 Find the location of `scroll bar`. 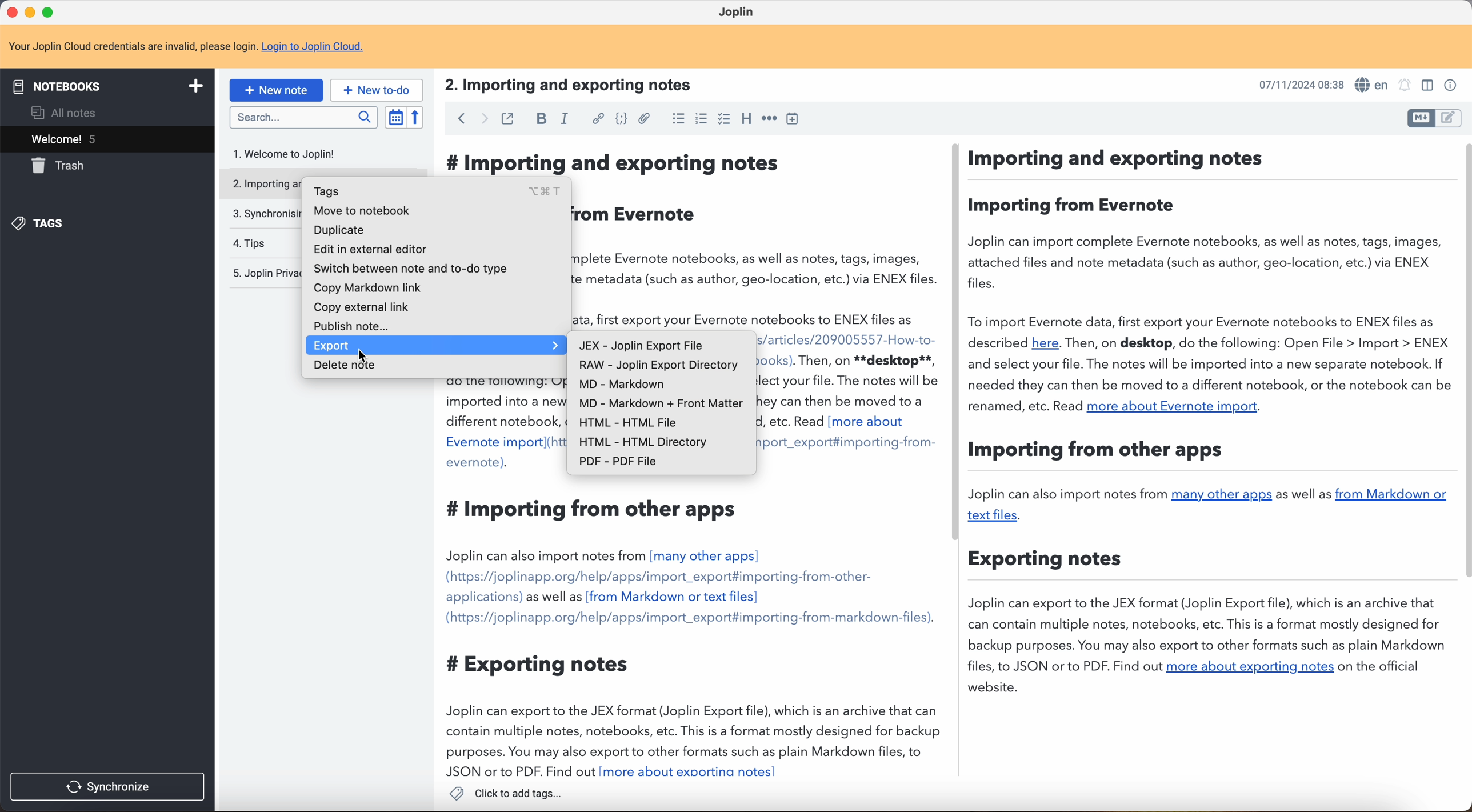

scroll bar is located at coordinates (1463, 361).